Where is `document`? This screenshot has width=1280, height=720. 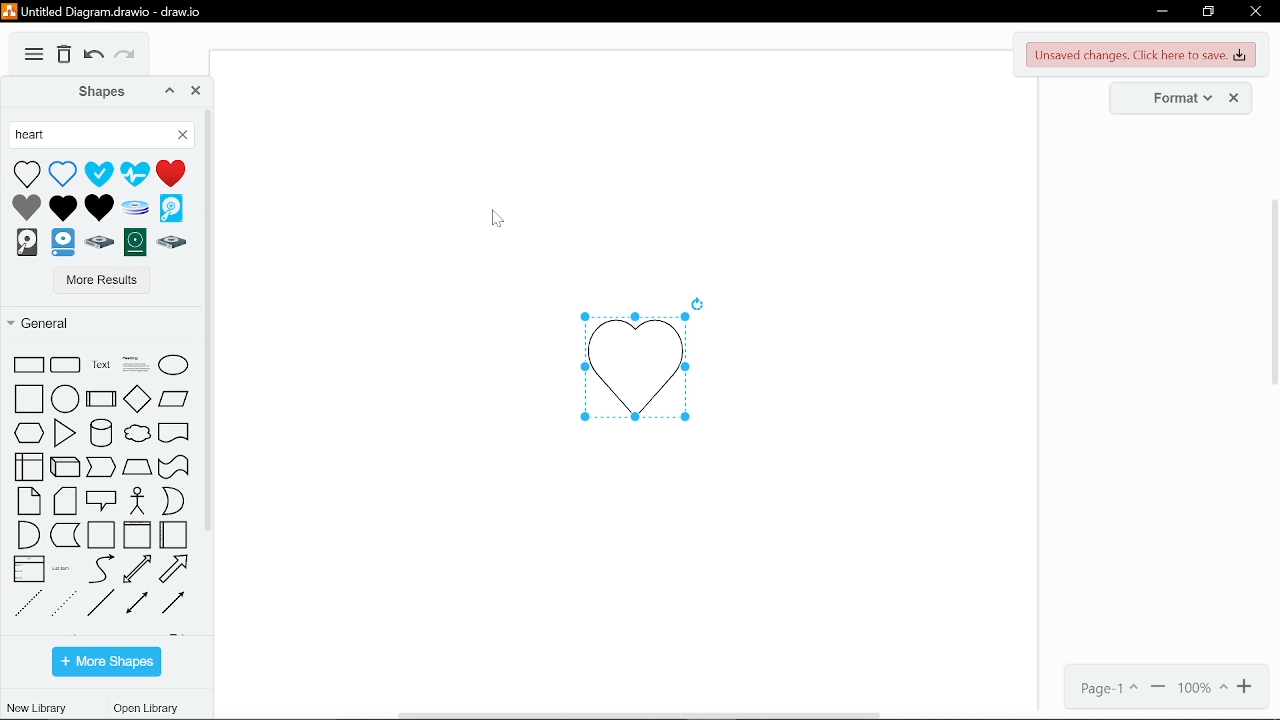
document is located at coordinates (175, 434).